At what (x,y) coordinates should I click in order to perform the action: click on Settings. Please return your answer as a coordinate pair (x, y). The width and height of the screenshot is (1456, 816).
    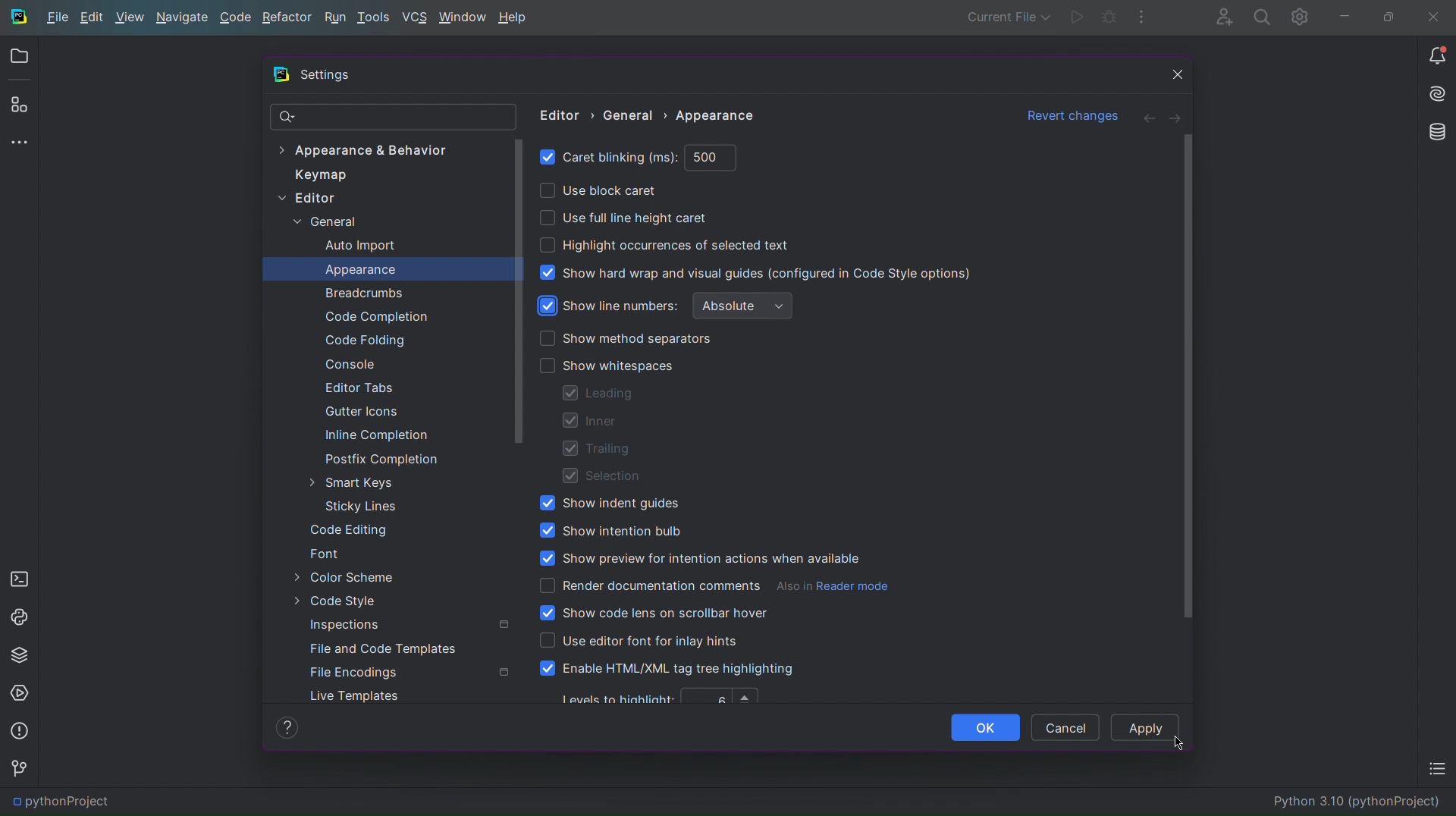
    Looking at the image, I should click on (1300, 17).